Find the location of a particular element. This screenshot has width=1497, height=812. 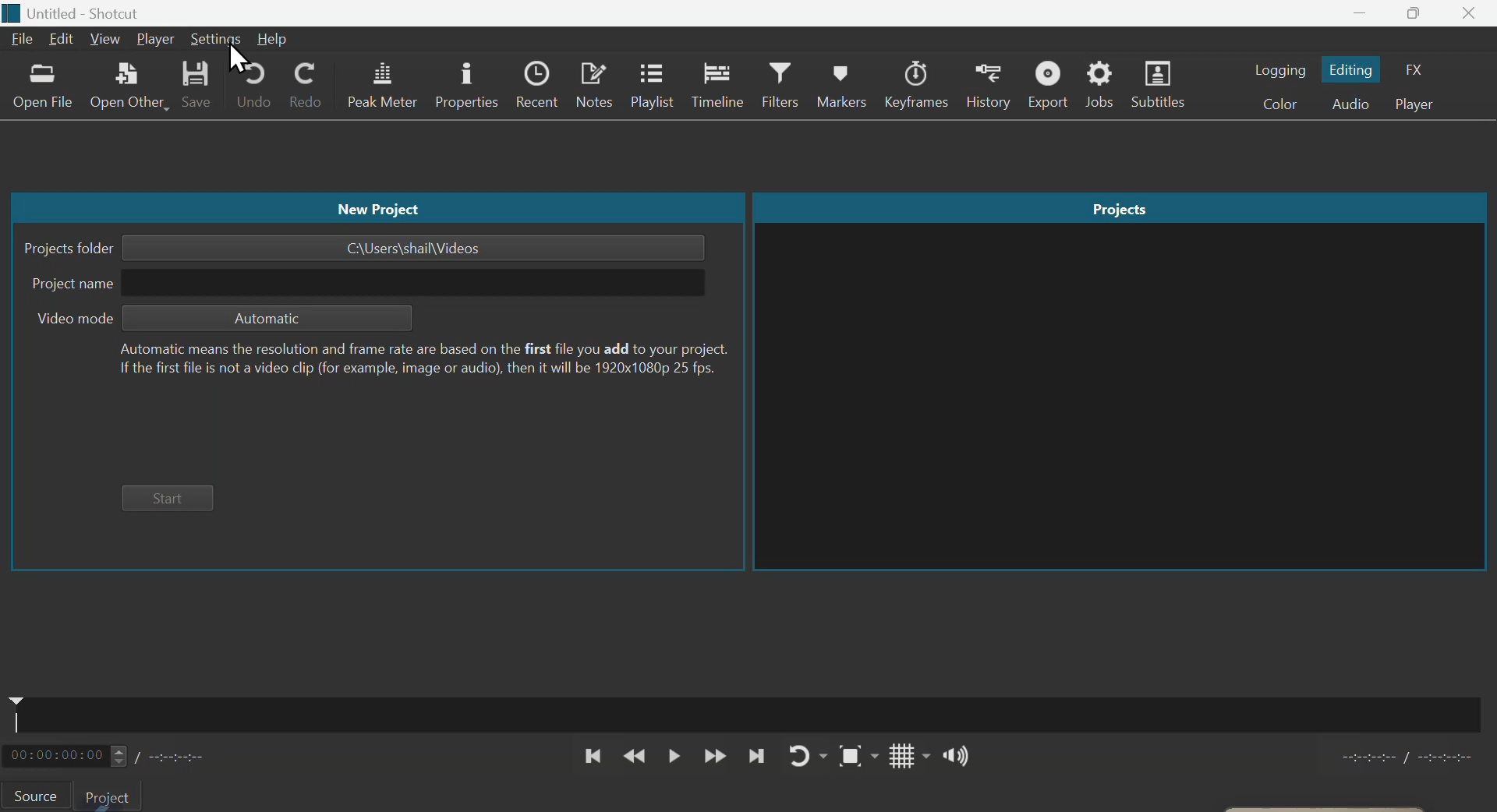

Player is located at coordinates (156, 39).